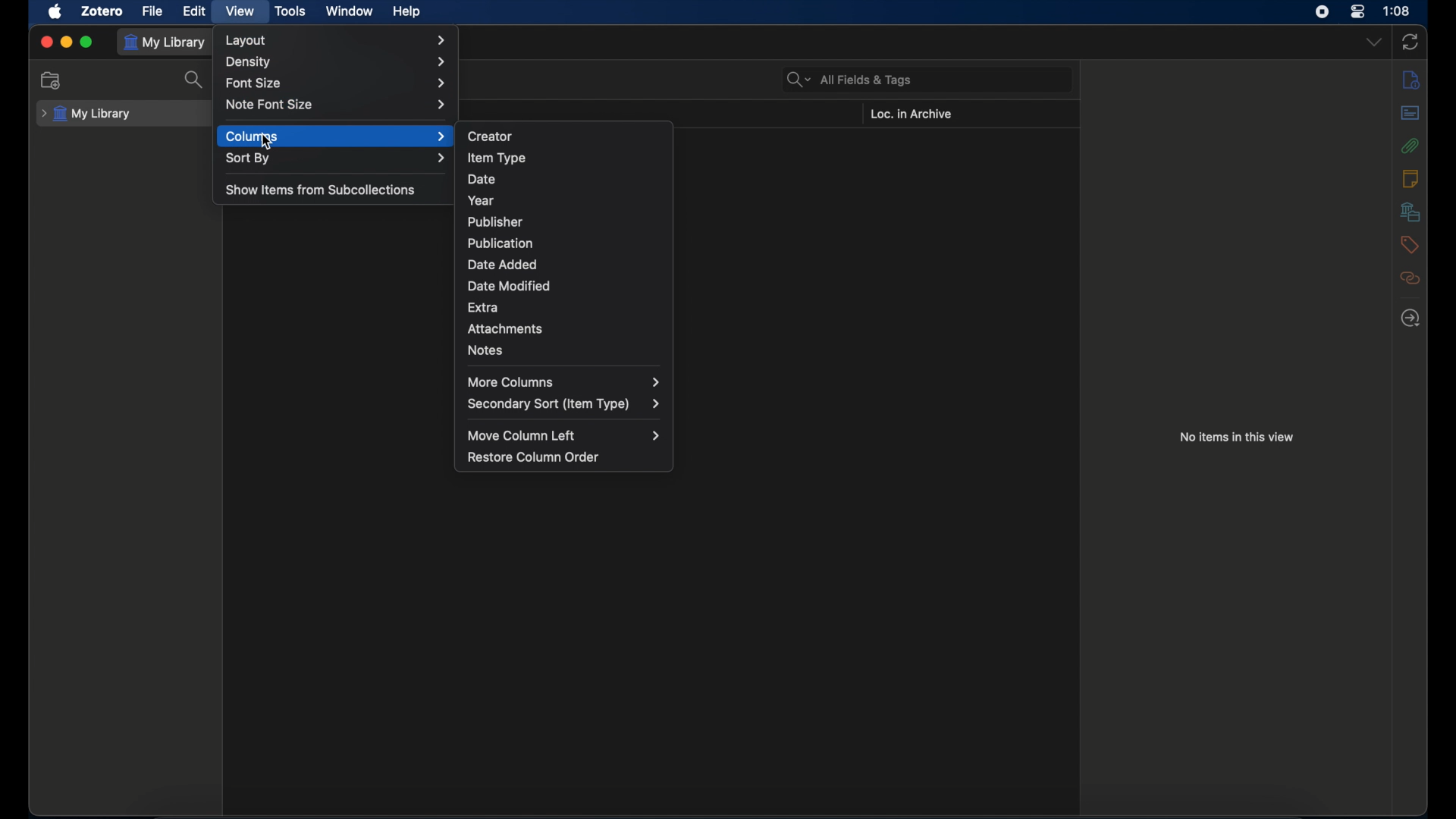 Image resolution: width=1456 pixels, height=819 pixels. I want to click on more columns, so click(565, 382).